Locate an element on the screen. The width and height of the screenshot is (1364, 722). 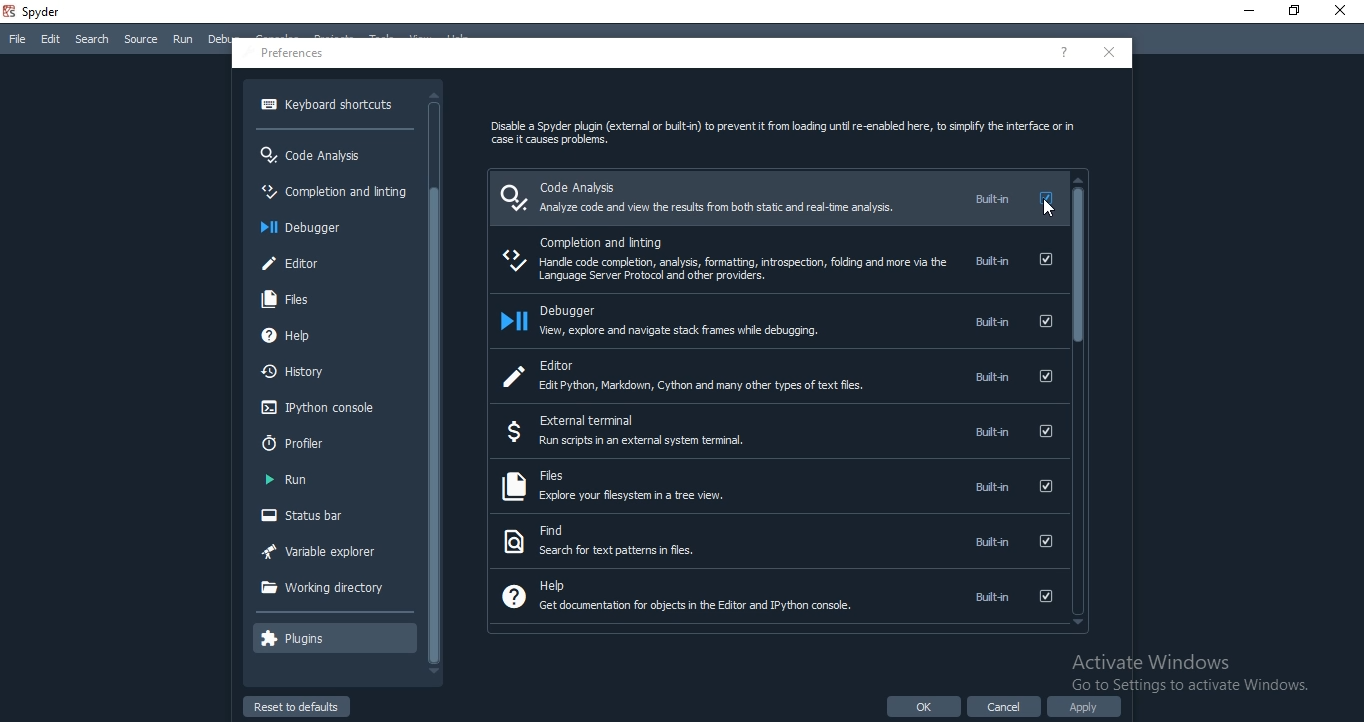
history is located at coordinates (330, 373).